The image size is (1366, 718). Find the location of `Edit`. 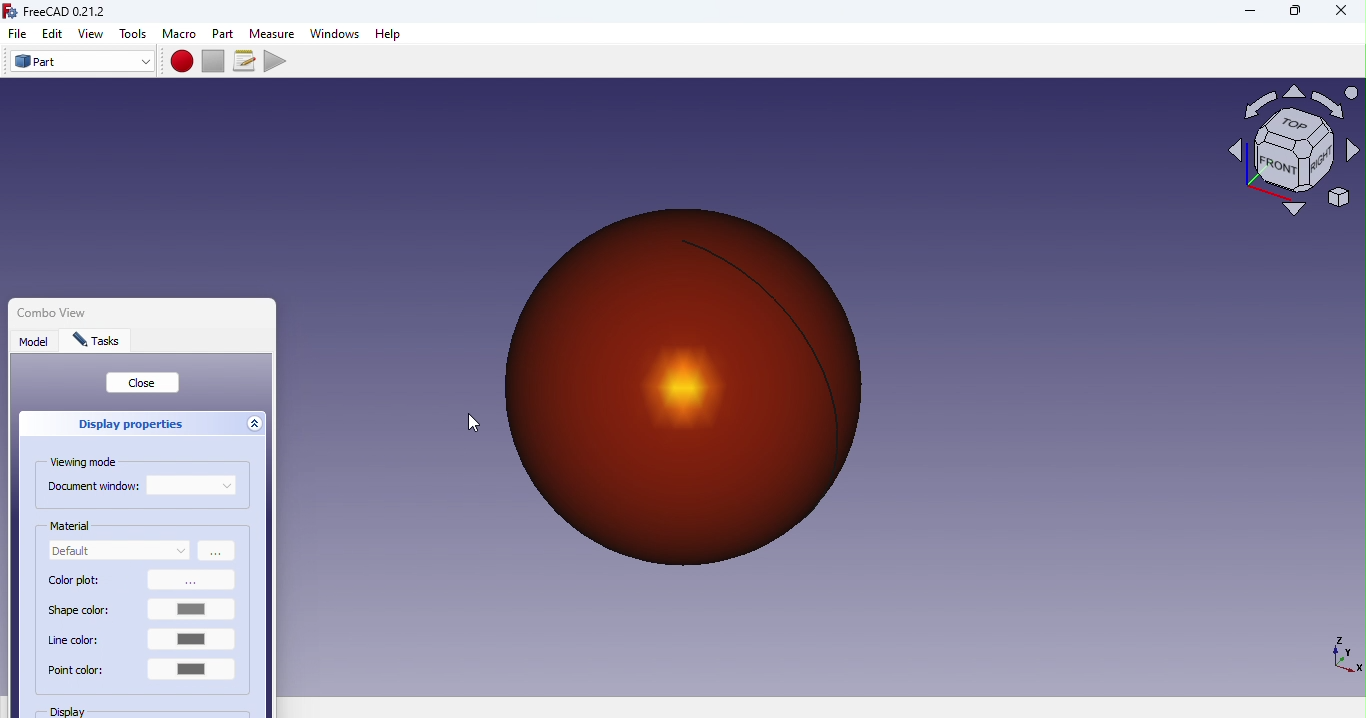

Edit is located at coordinates (53, 33).